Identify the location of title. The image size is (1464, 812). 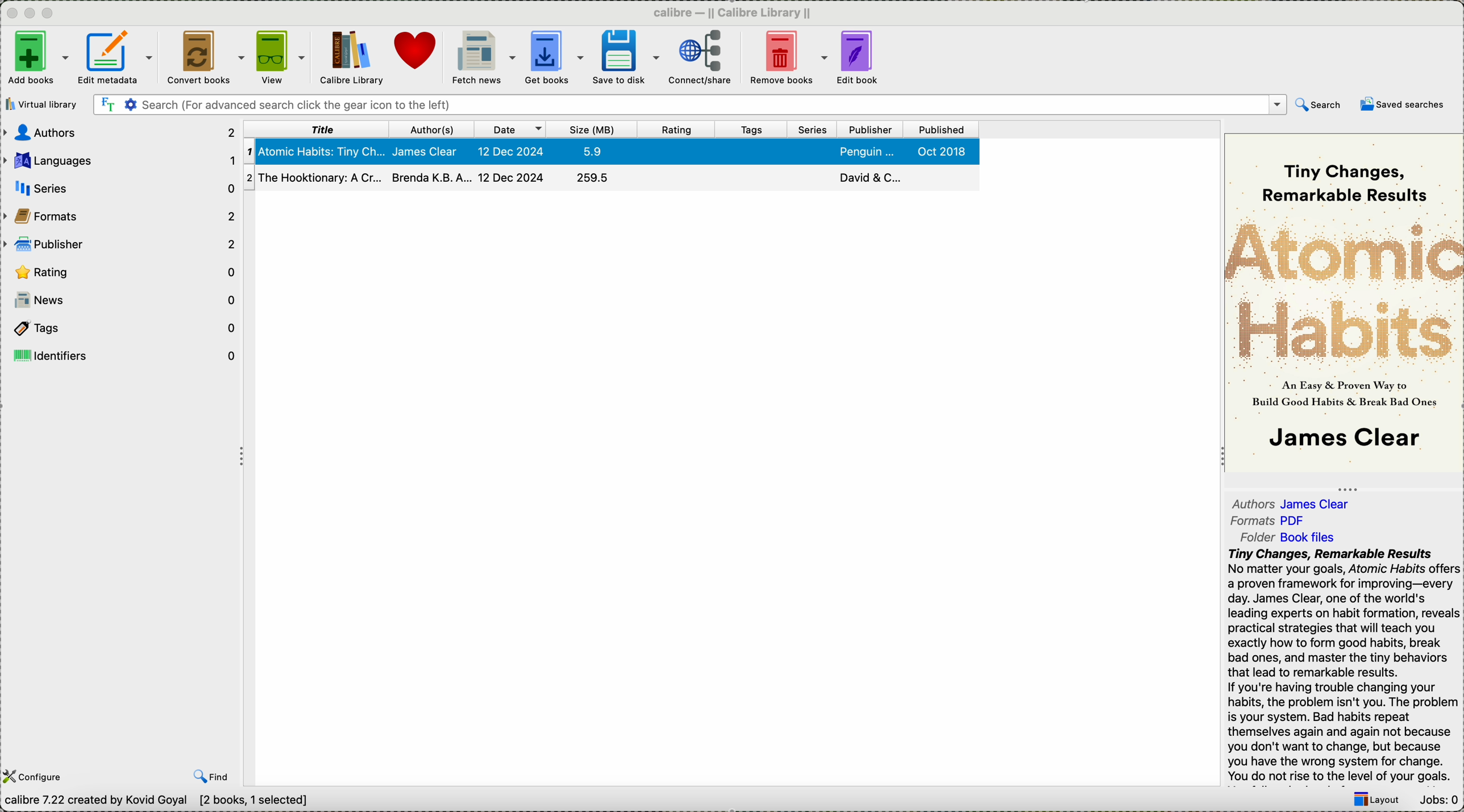
(317, 129).